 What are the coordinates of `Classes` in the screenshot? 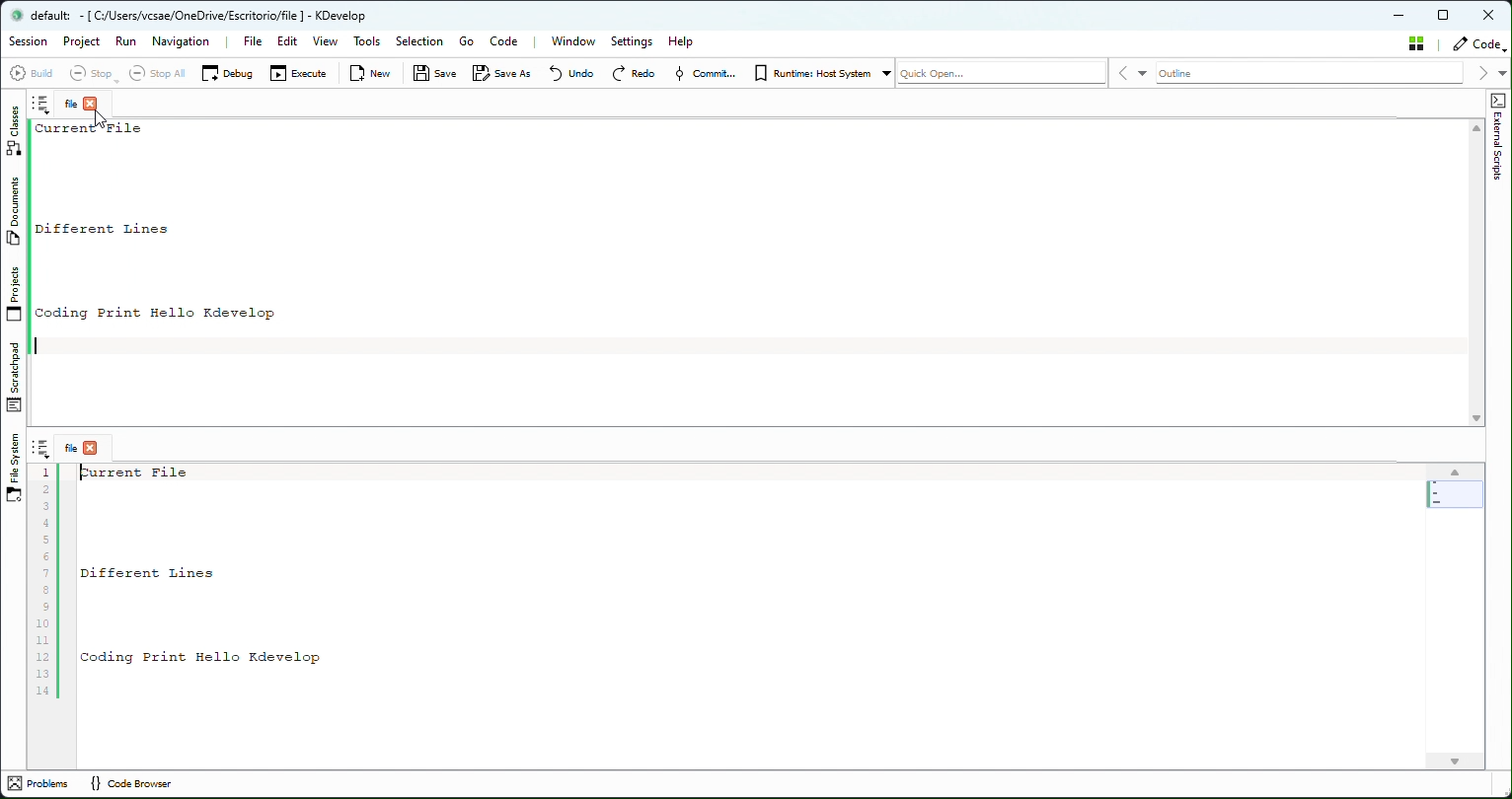 It's located at (12, 132).